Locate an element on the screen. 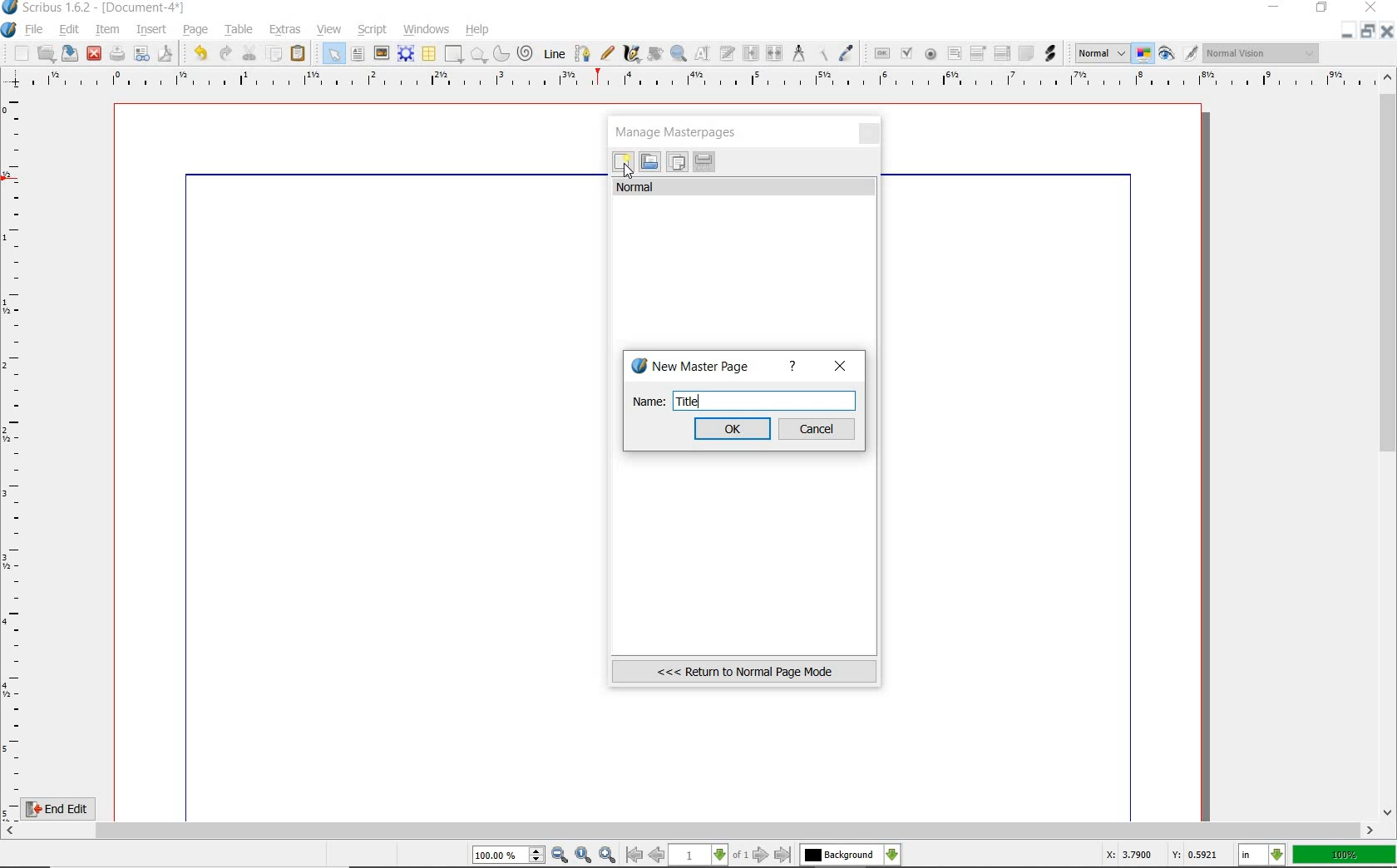 This screenshot has width=1397, height=868. go to last page is located at coordinates (783, 855).